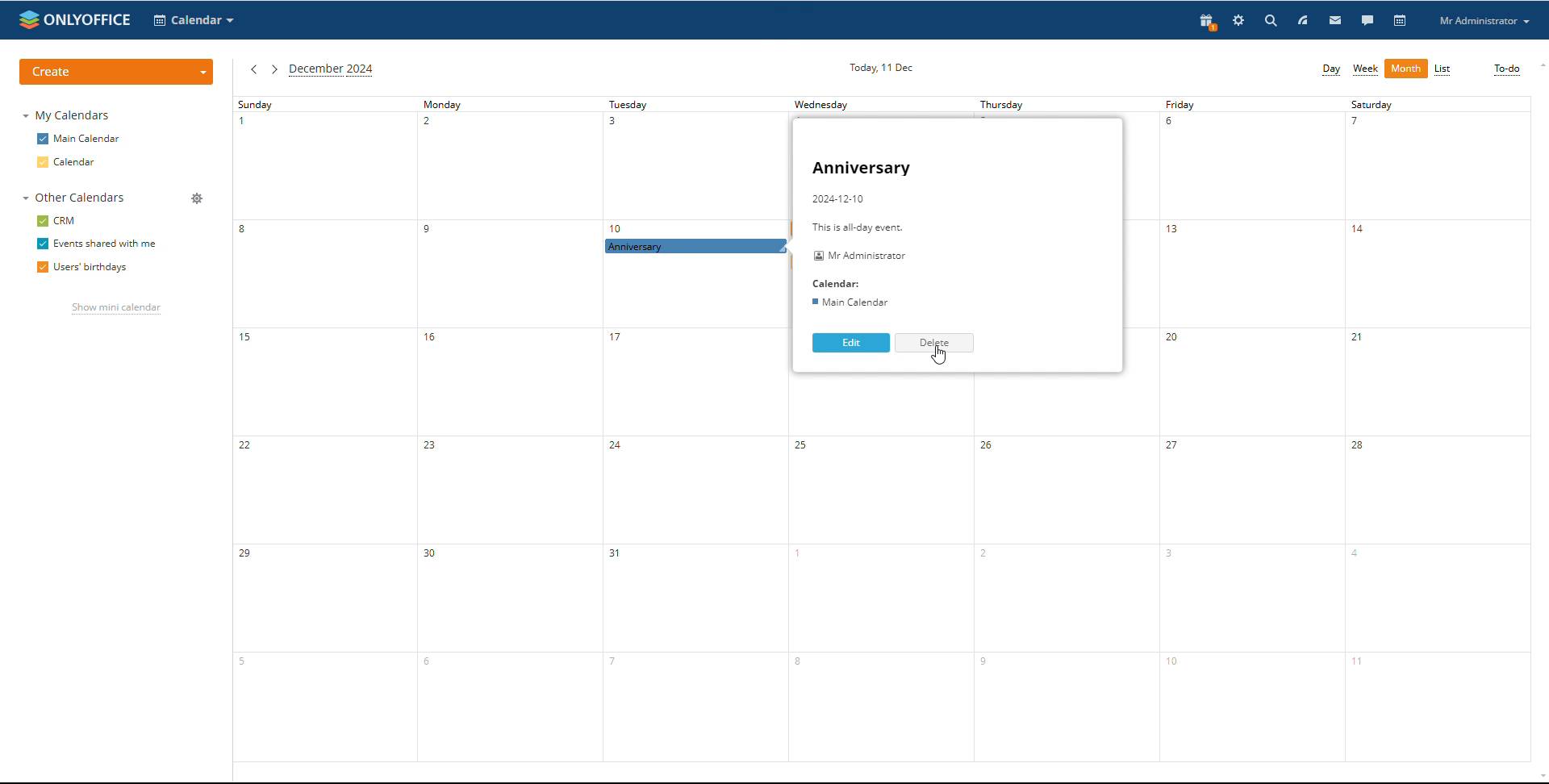 The height and width of the screenshot is (784, 1549). I want to click on 2024-12-10, so click(840, 201).